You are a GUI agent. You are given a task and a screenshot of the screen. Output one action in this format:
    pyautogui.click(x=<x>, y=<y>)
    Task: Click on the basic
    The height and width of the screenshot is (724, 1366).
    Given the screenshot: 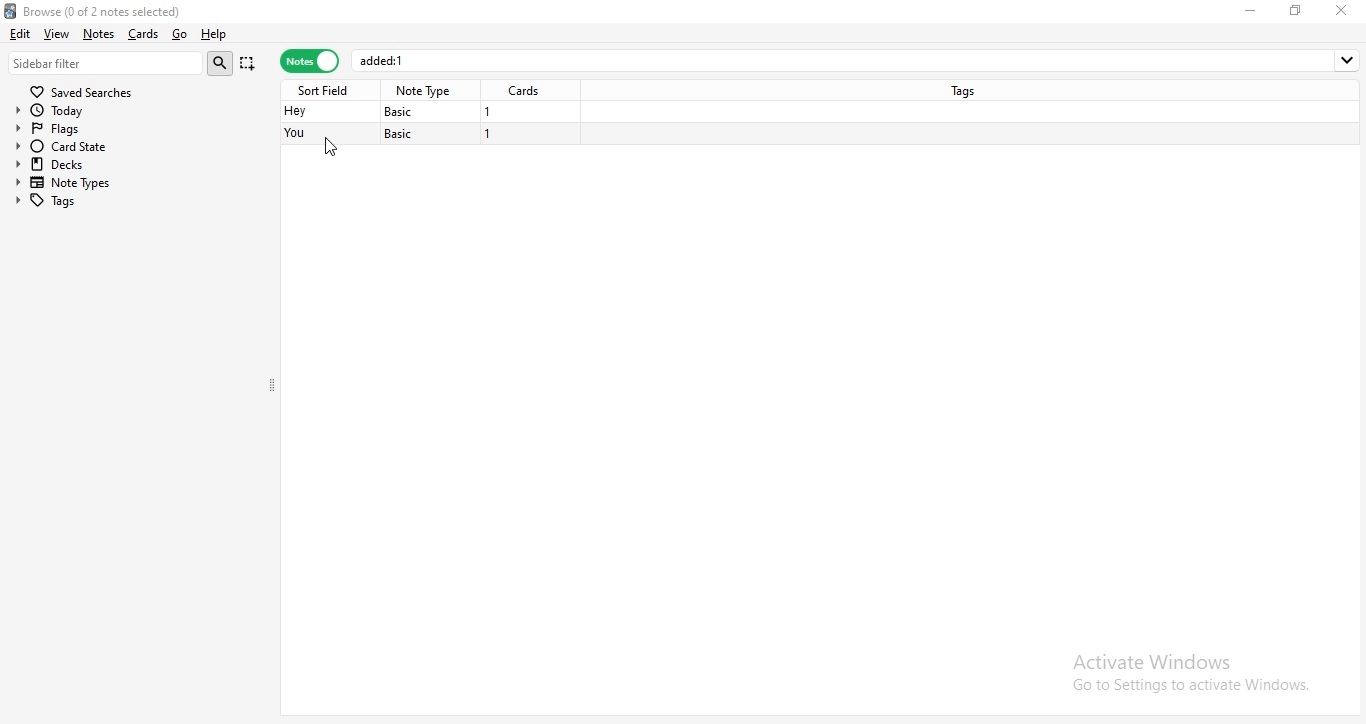 What is the action you would take?
    pyautogui.click(x=405, y=111)
    